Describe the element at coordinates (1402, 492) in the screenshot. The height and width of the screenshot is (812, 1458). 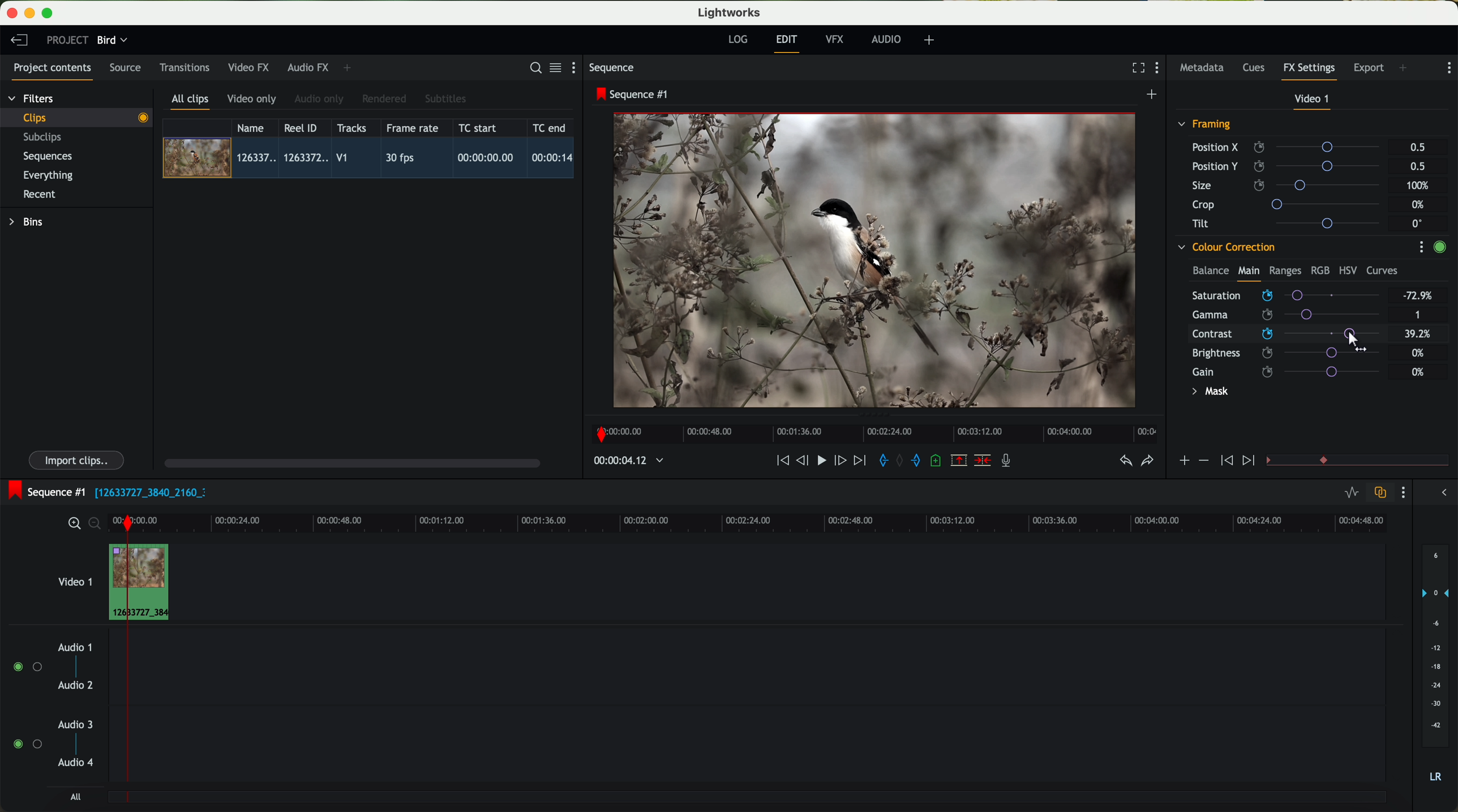
I see `show settings menu` at that location.